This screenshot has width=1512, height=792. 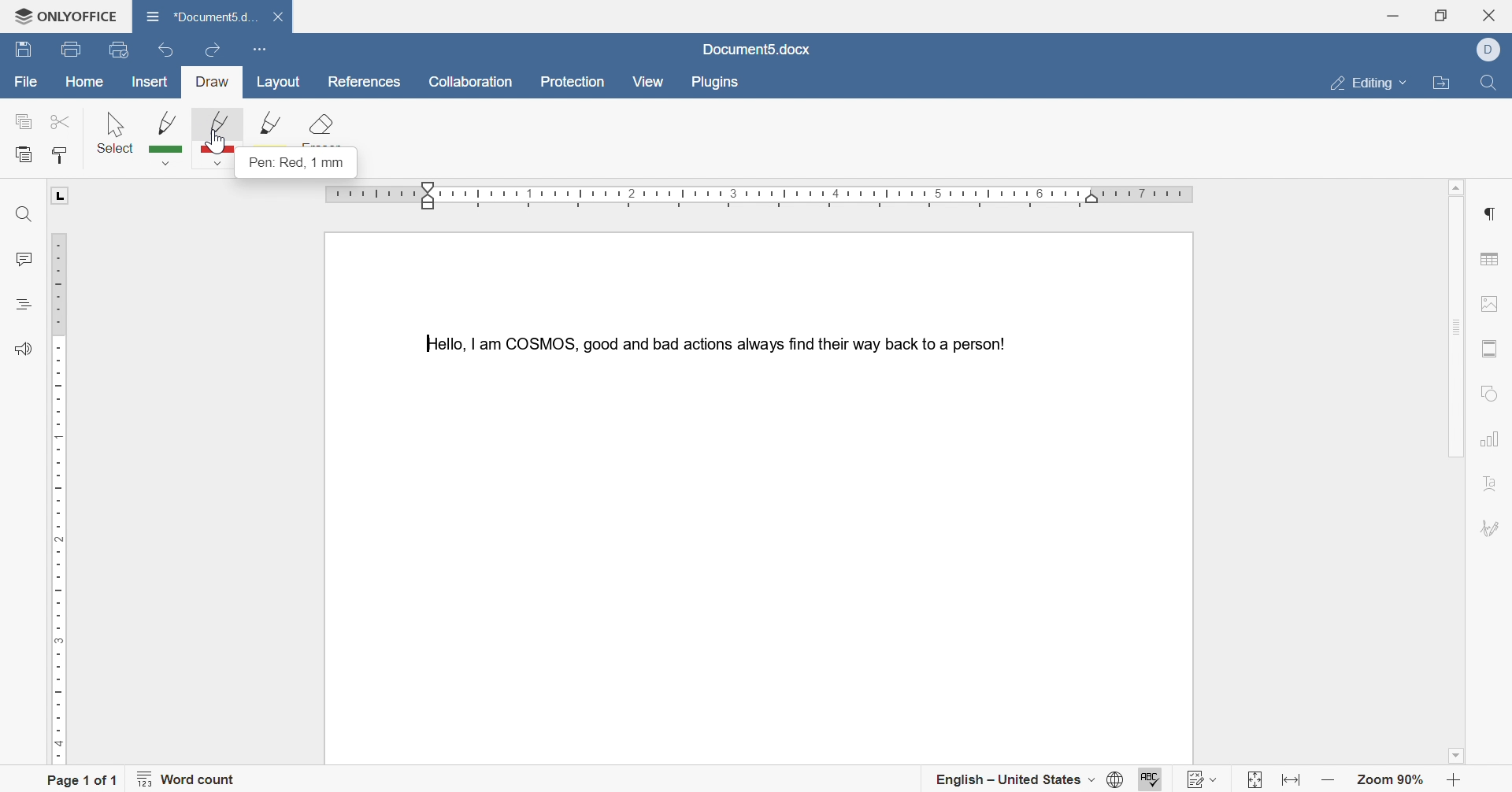 What do you see at coordinates (213, 83) in the screenshot?
I see `draw` at bounding box center [213, 83].